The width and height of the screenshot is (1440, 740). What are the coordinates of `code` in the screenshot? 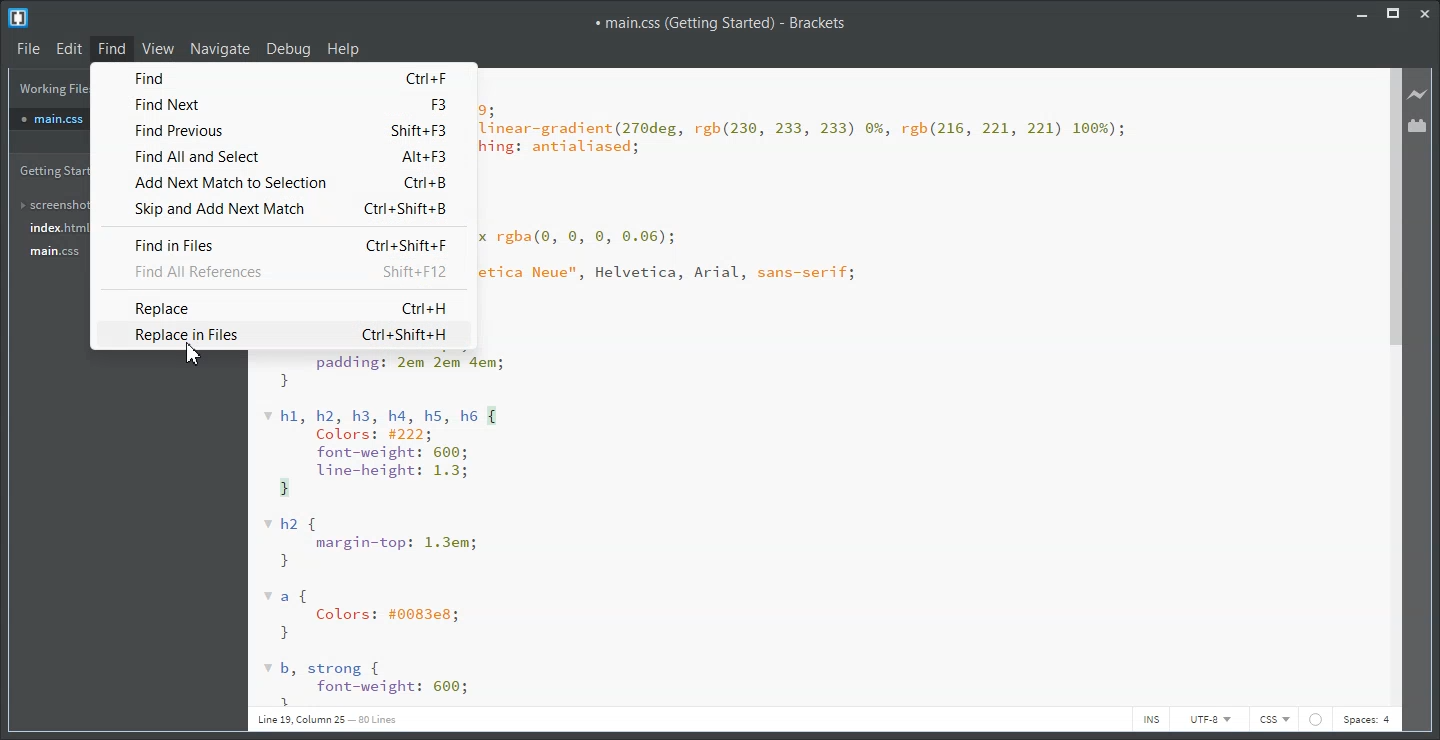 It's located at (396, 374).